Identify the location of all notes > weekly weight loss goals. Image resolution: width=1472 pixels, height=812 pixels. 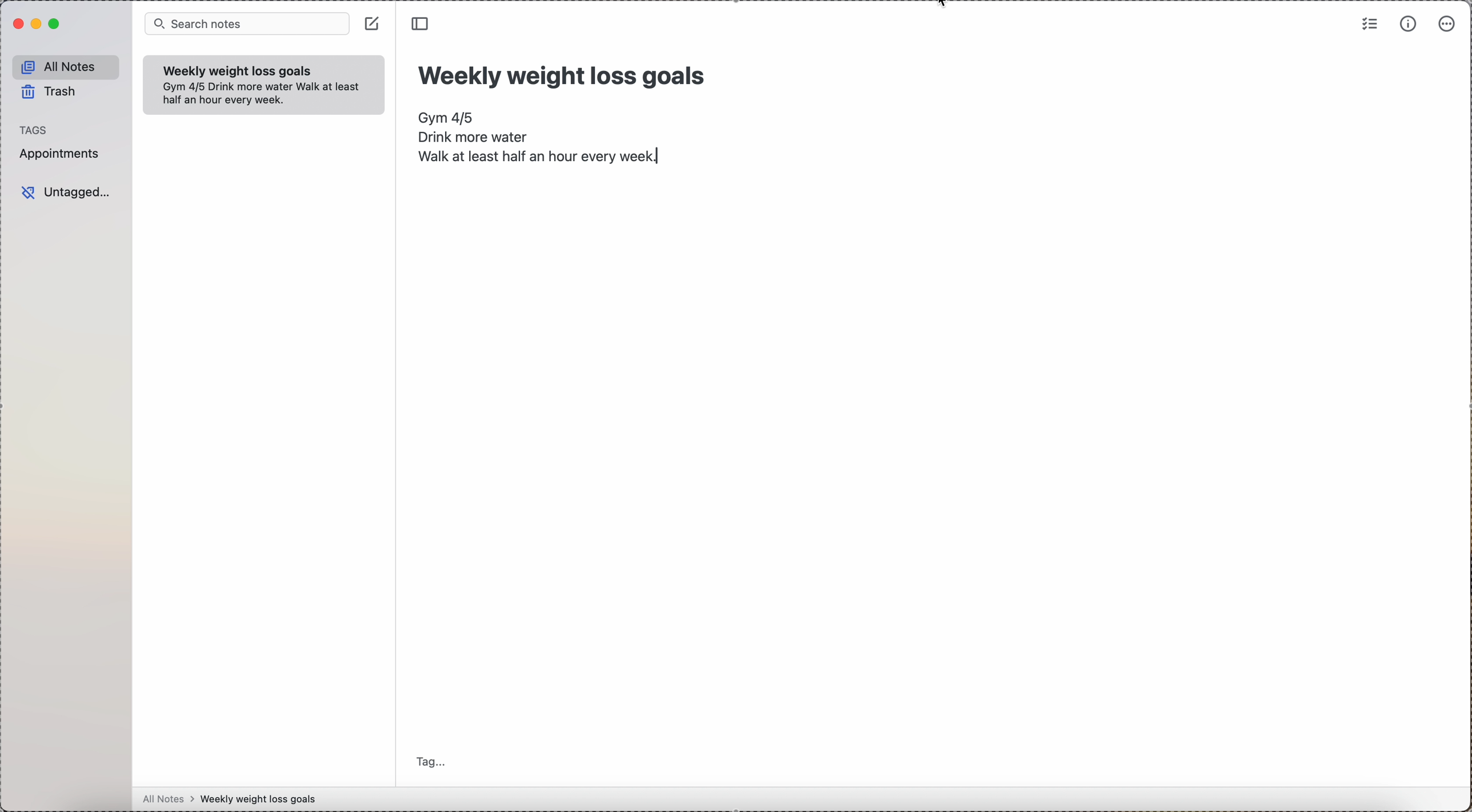
(234, 799).